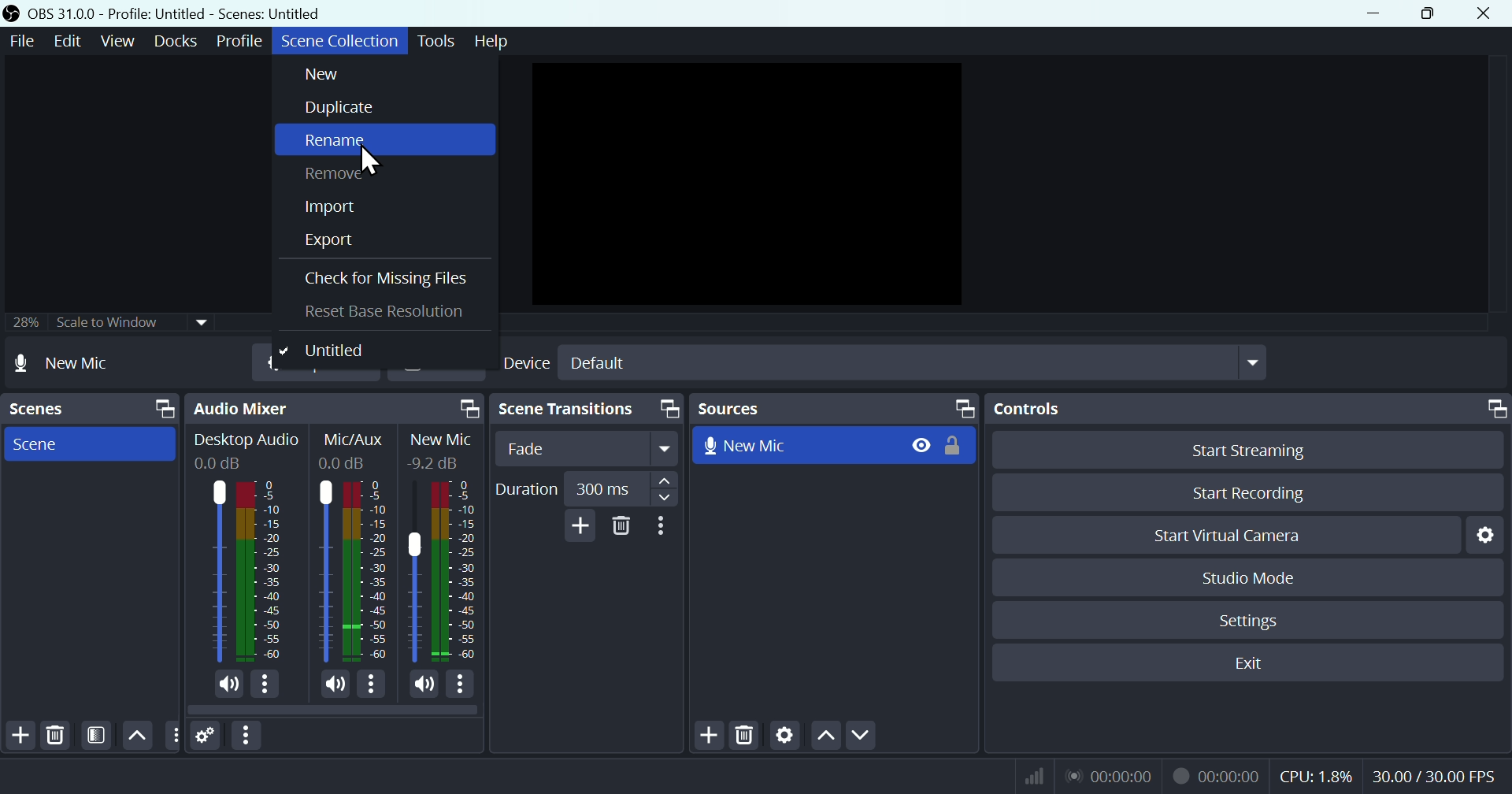  I want to click on Fade, so click(588, 449).